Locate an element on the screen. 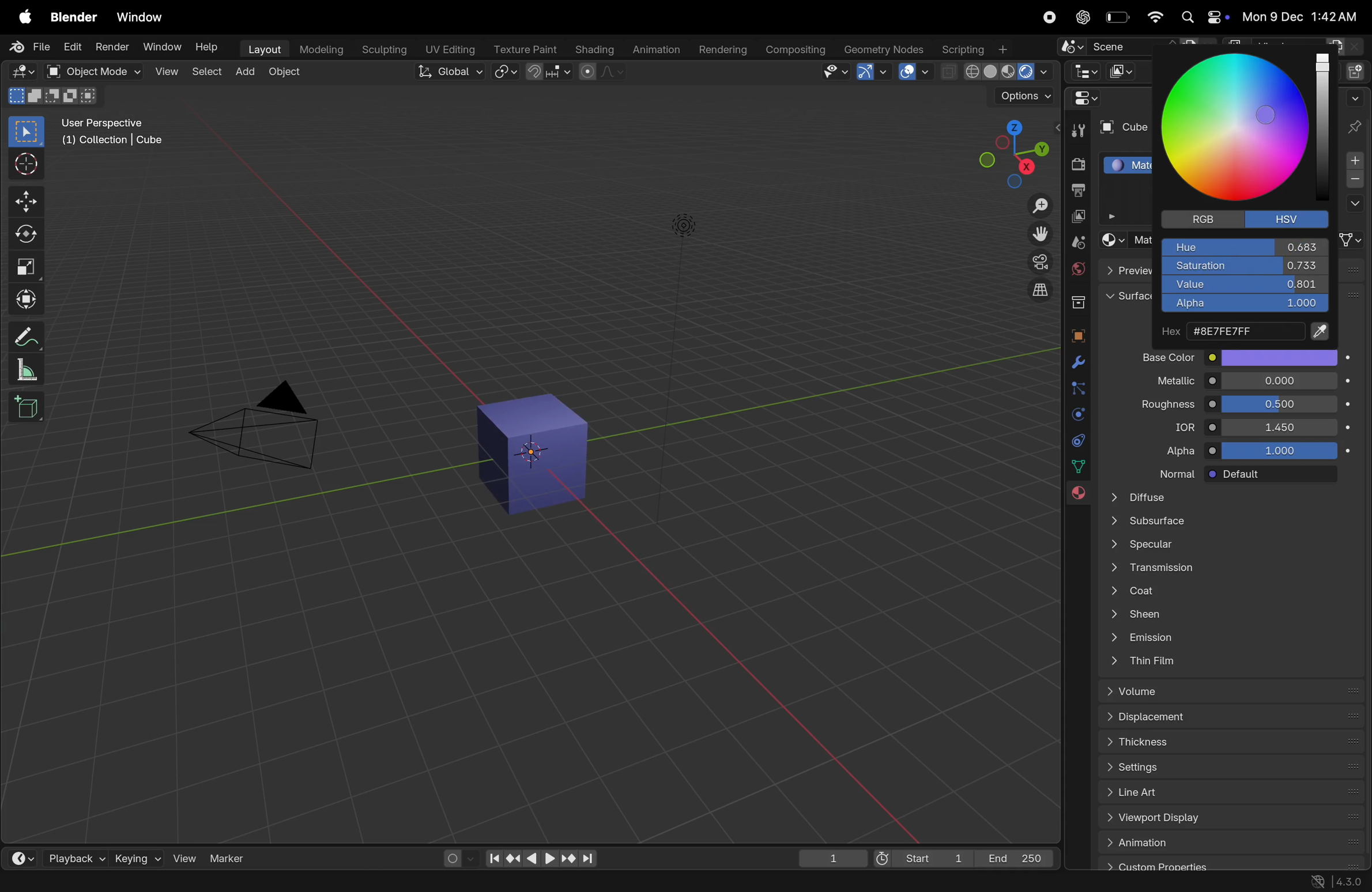 Image resolution: width=1372 pixels, height=892 pixels. Cube is located at coordinates (1121, 128).